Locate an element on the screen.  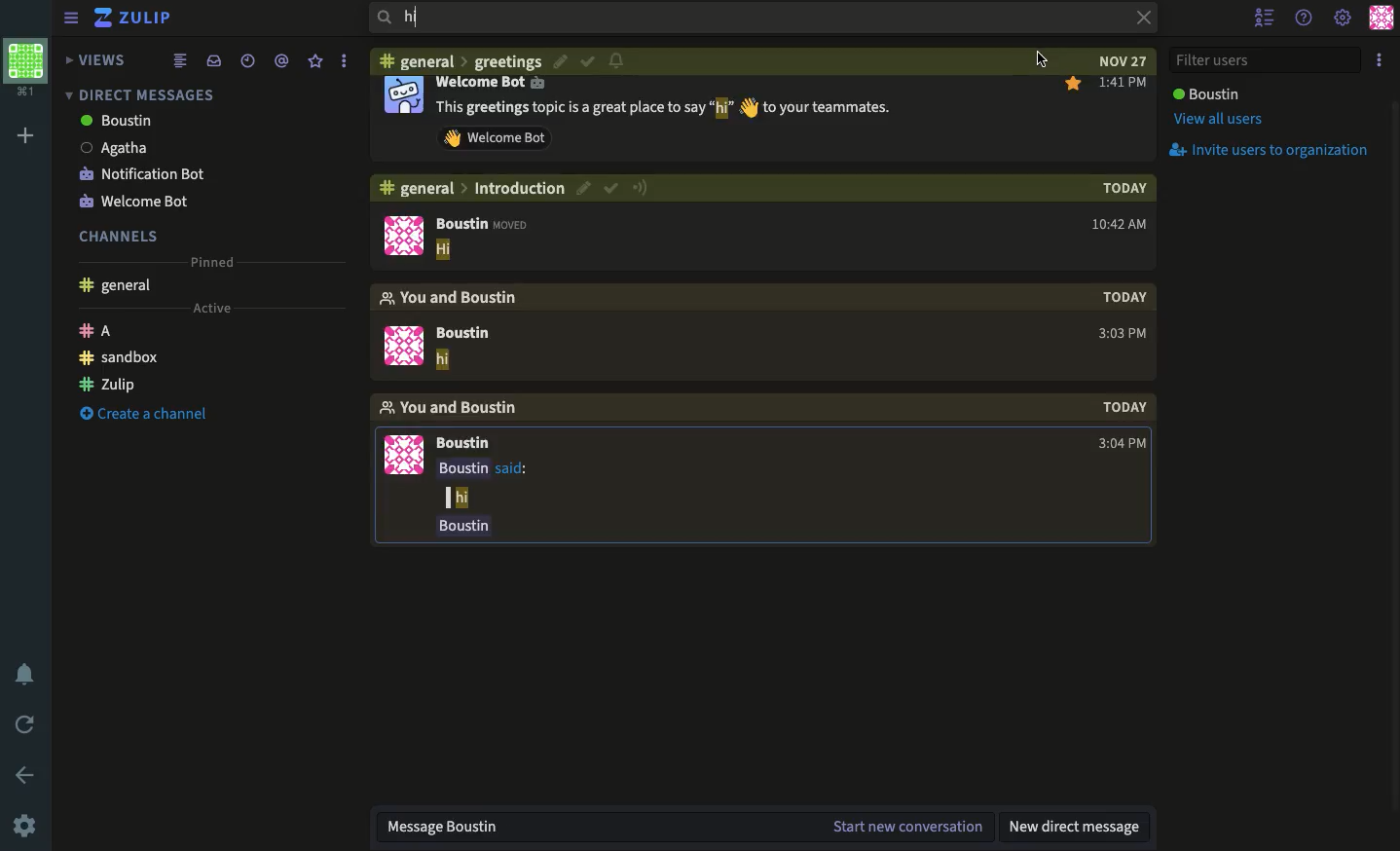
Invite users to organization is located at coordinates (1274, 151).